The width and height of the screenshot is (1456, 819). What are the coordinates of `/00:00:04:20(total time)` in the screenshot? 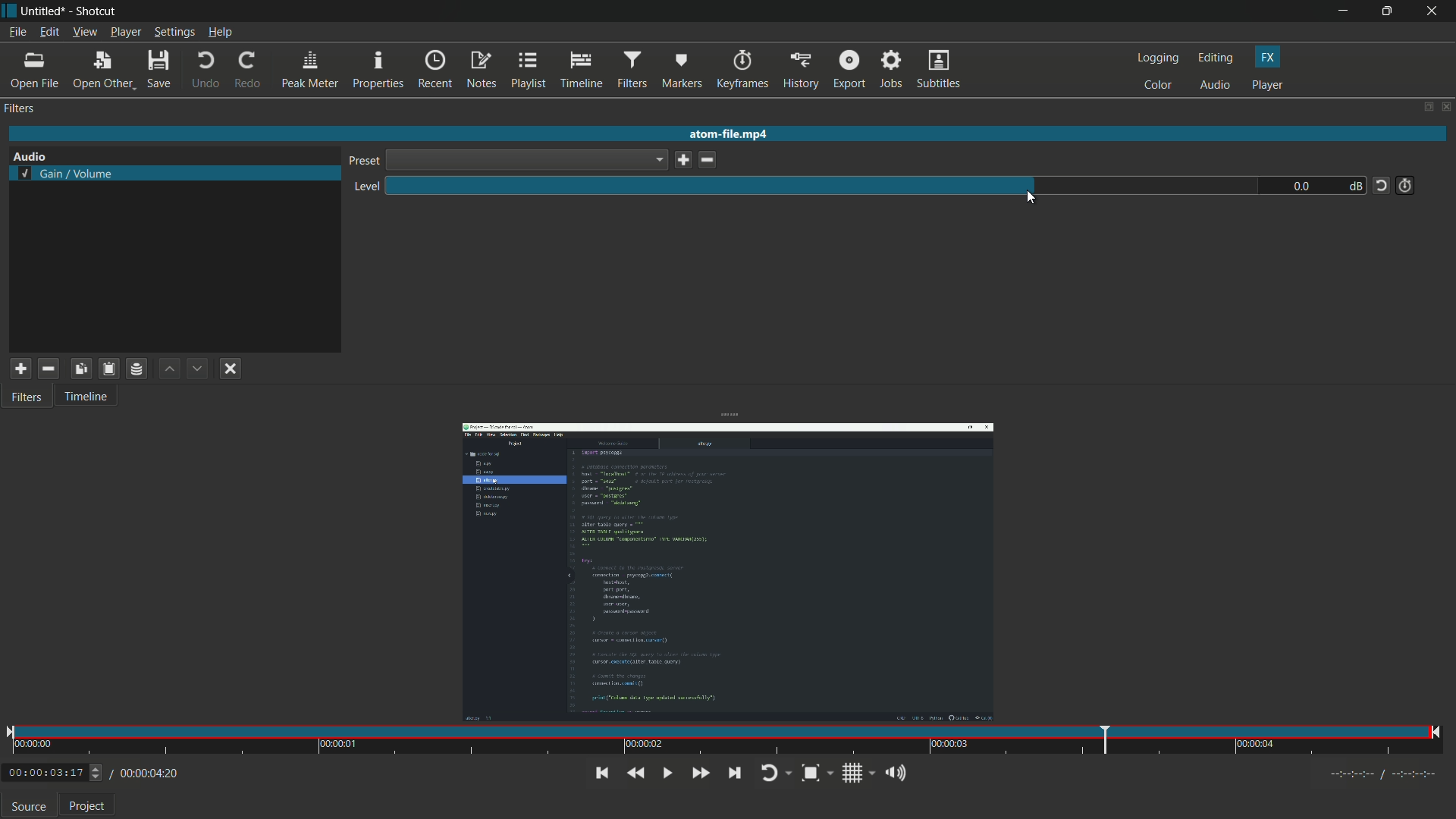 It's located at (146, 771).